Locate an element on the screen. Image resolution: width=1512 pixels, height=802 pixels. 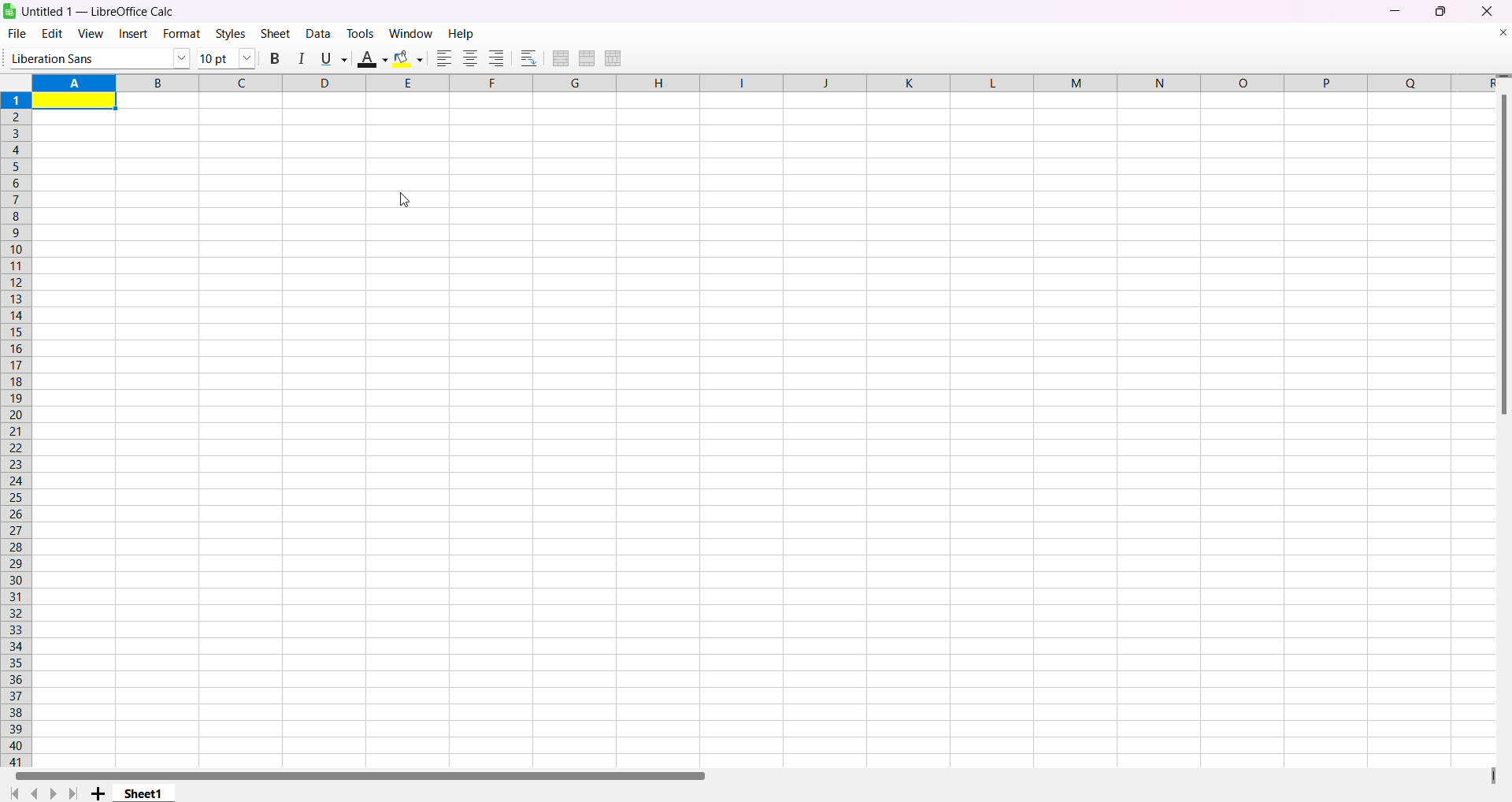
right aligned is located at coordinates (495, 57).